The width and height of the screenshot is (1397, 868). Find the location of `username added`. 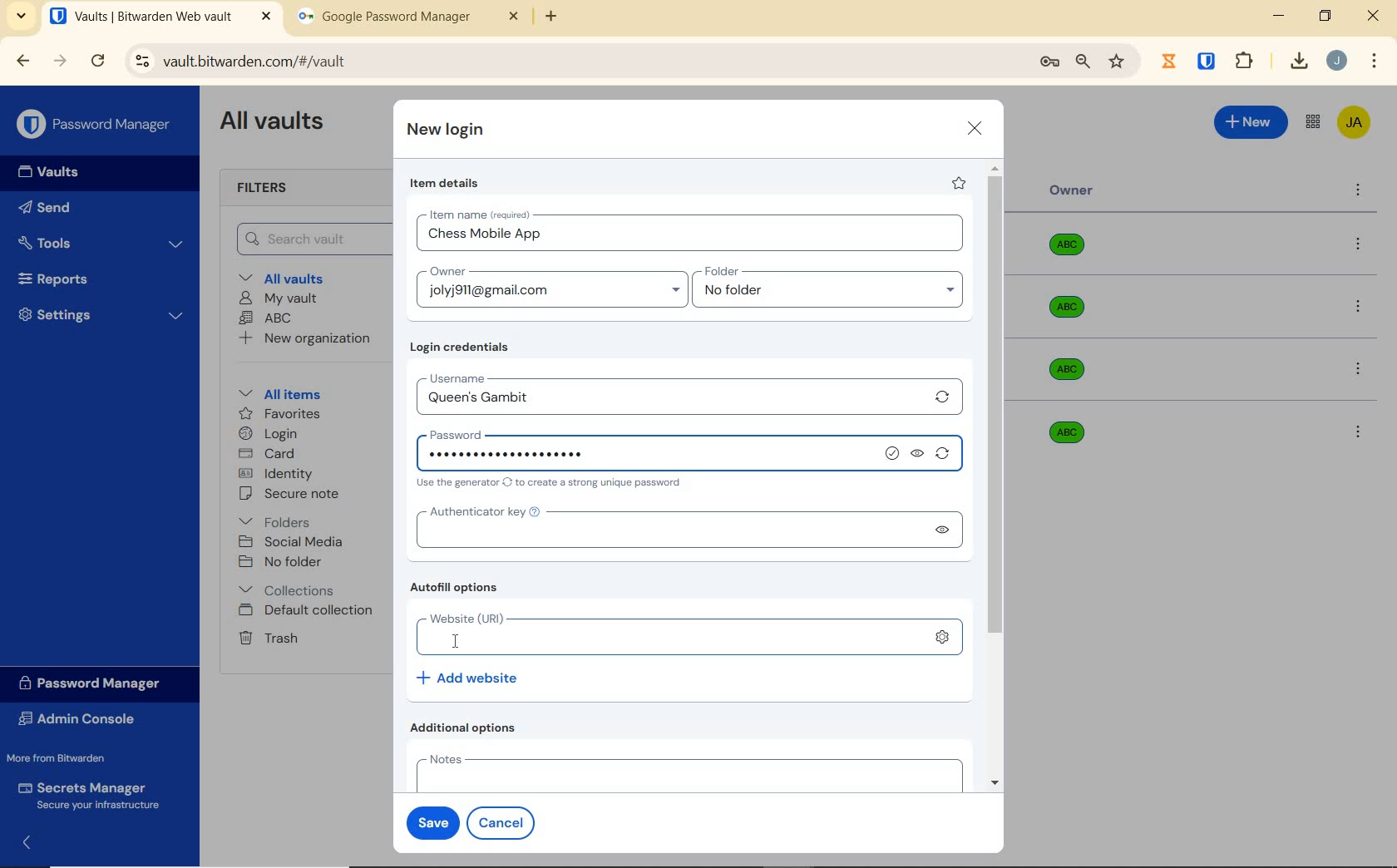

username added is located at coordinates (510, 398).